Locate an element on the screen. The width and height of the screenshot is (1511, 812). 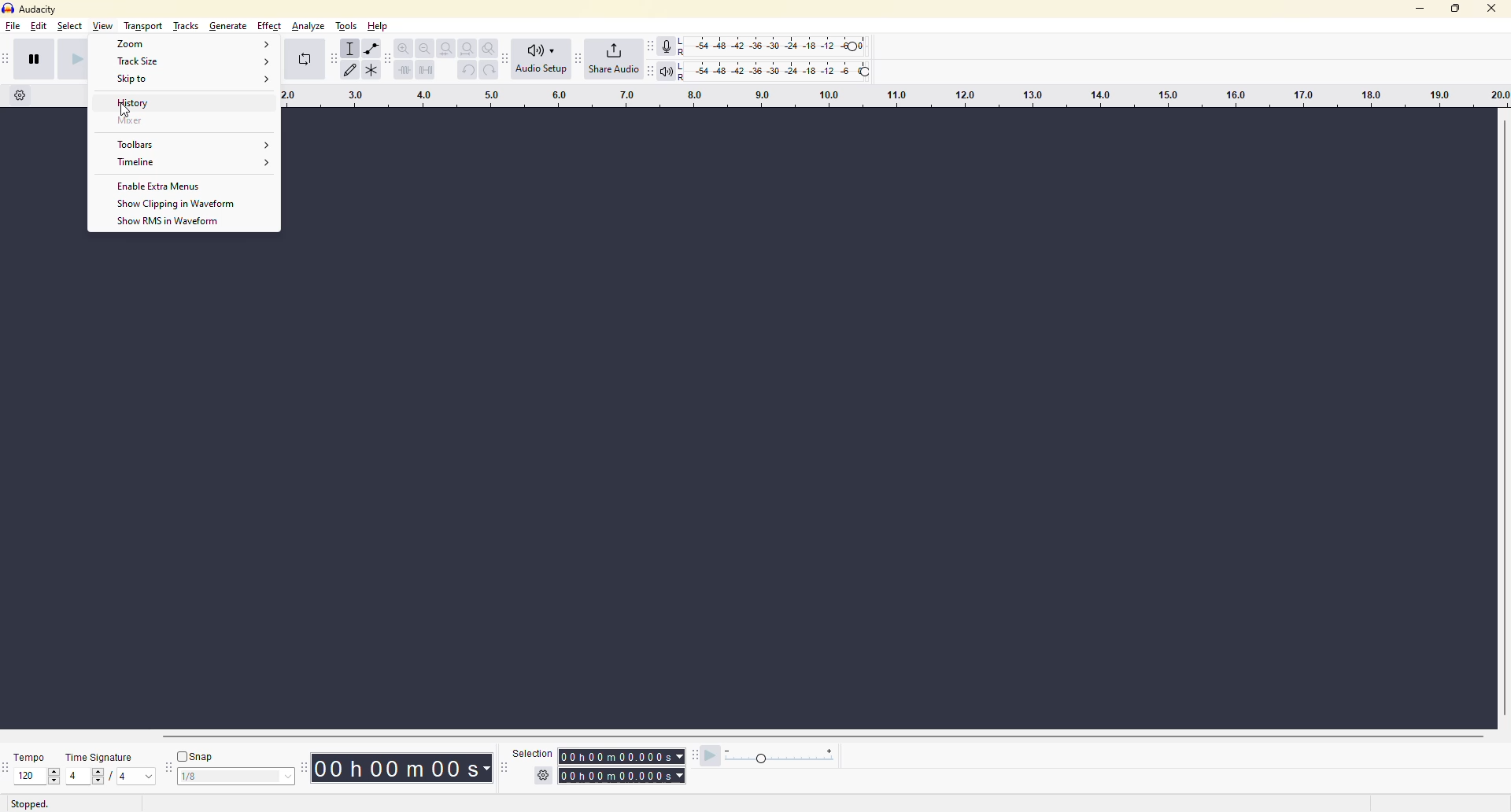
time signature is located at coordinates (106, 755).